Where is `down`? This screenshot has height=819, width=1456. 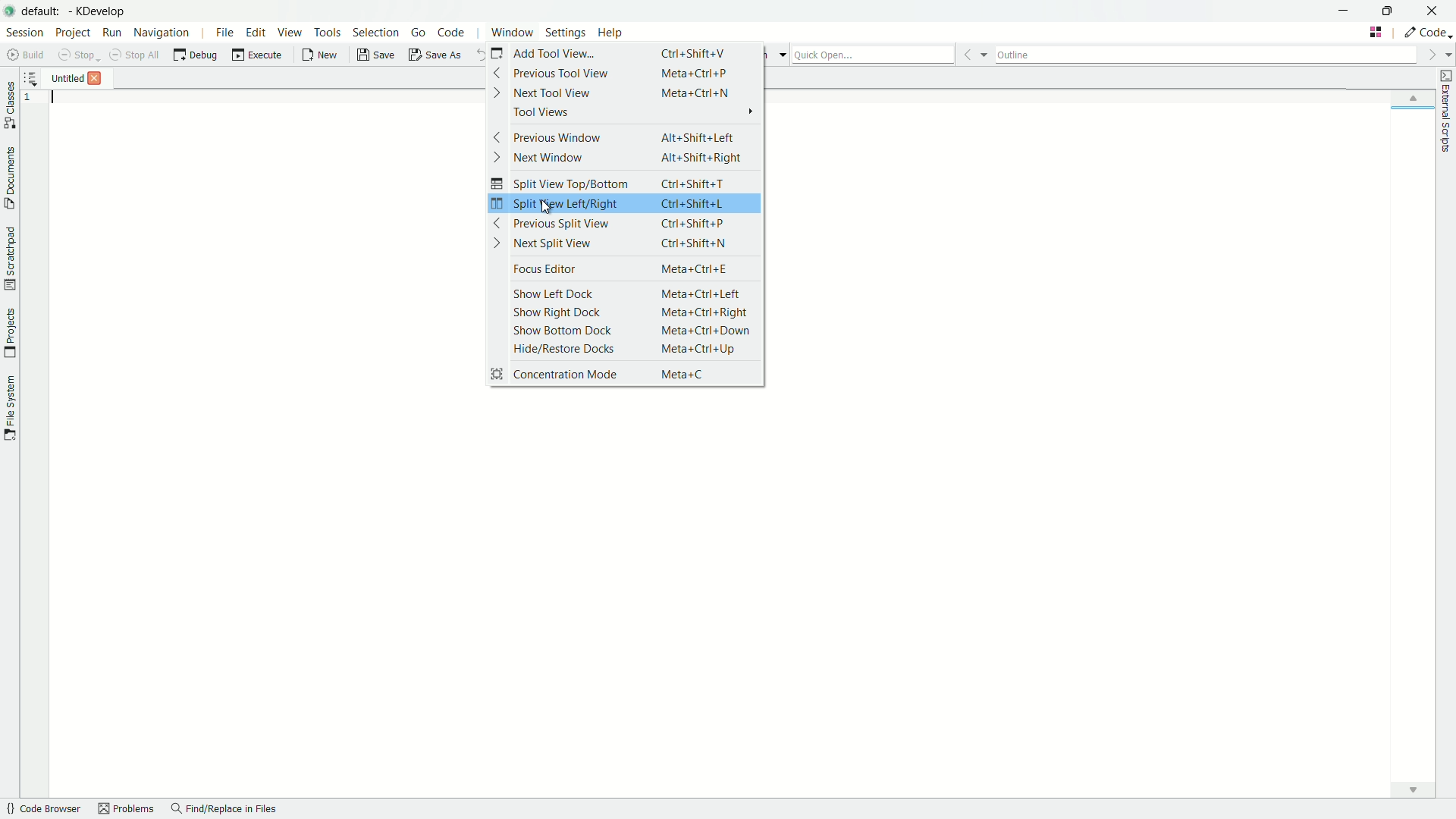
down is located at coordinates (1408, 788).